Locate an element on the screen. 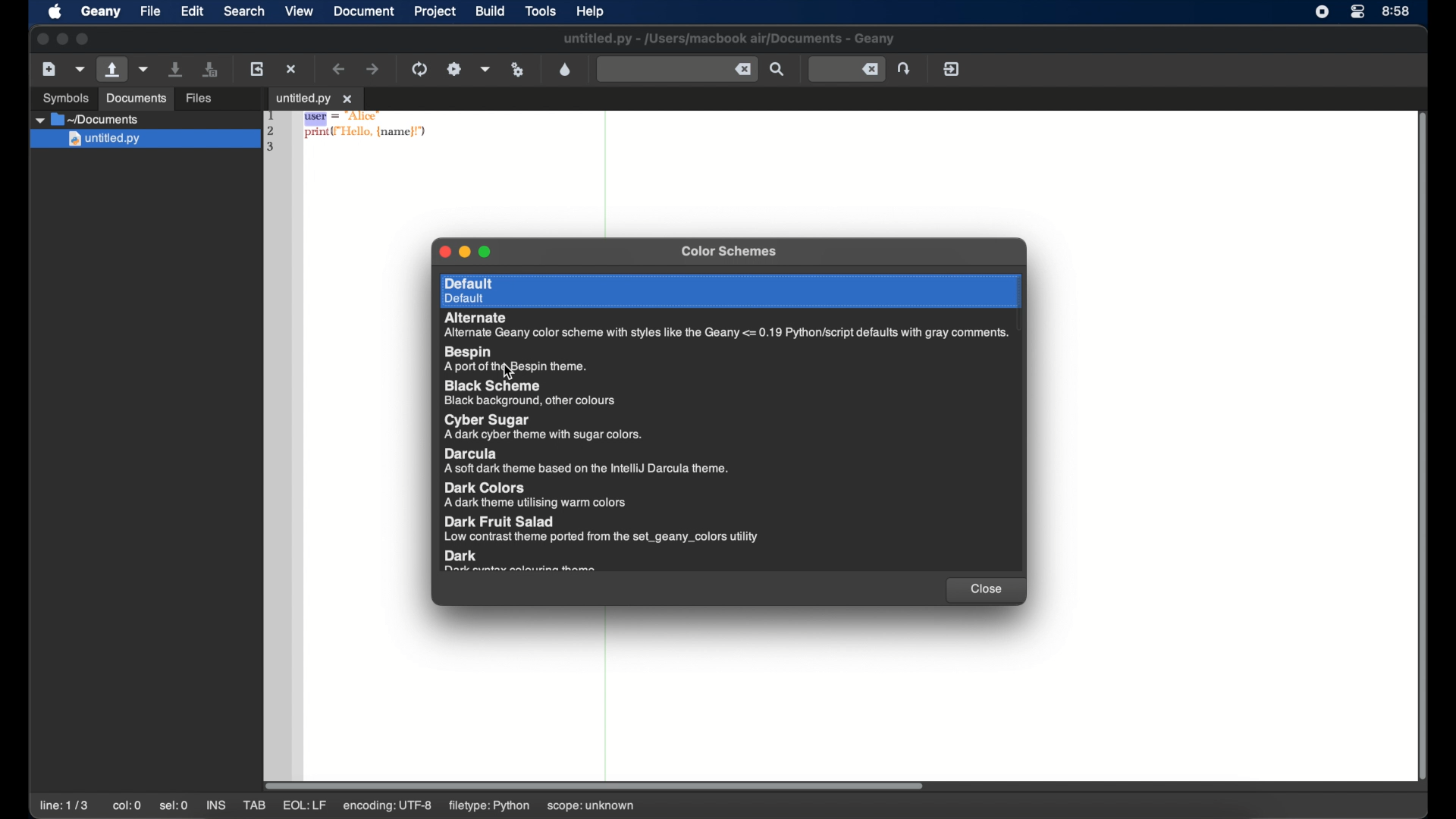 The height and width of the screenshot is (819, 1456). symbols is located at coordinates (64, 99).